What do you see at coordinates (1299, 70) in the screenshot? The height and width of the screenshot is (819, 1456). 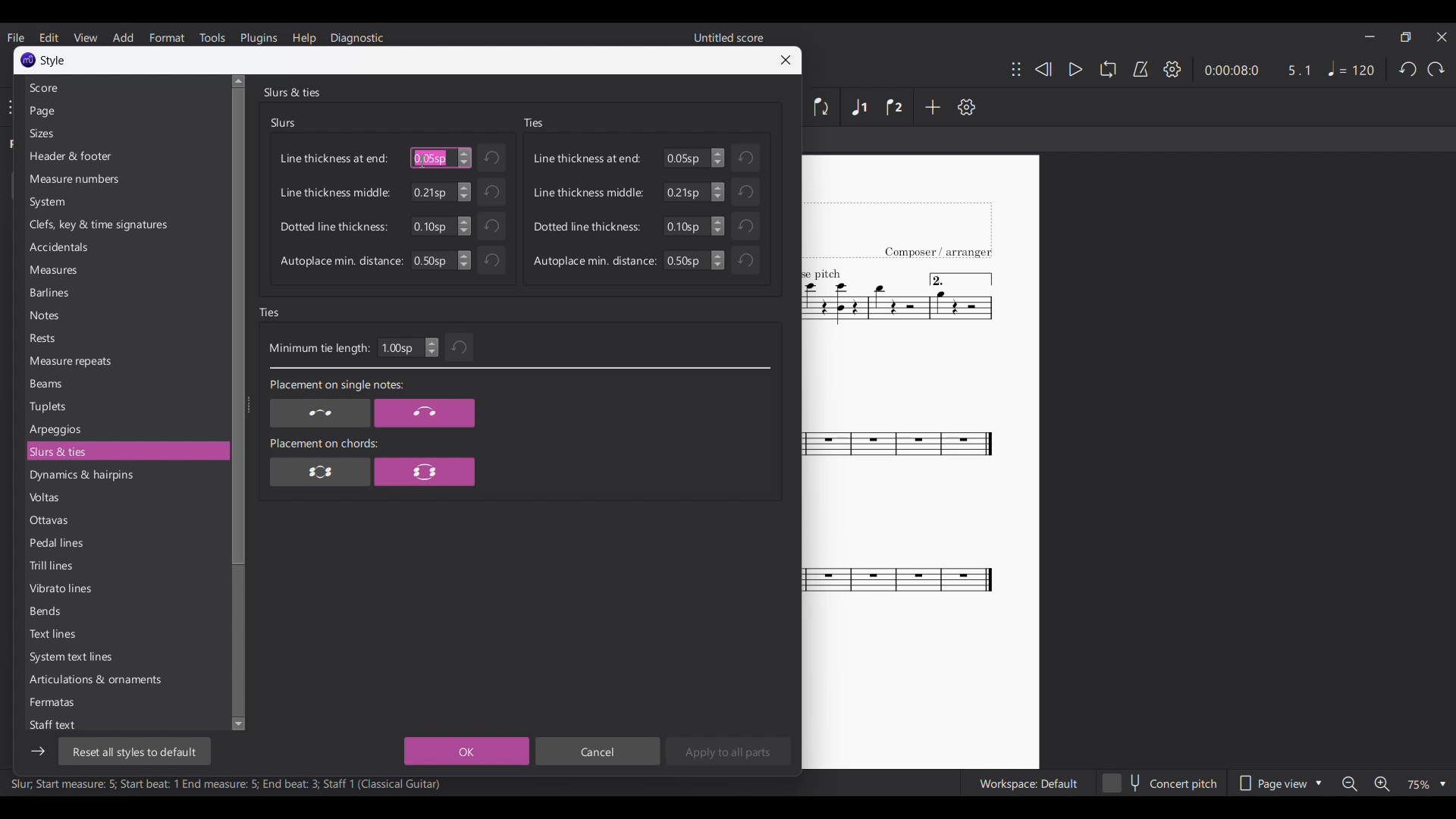 I see `Current ratio` at bounding box center [1299, 70].